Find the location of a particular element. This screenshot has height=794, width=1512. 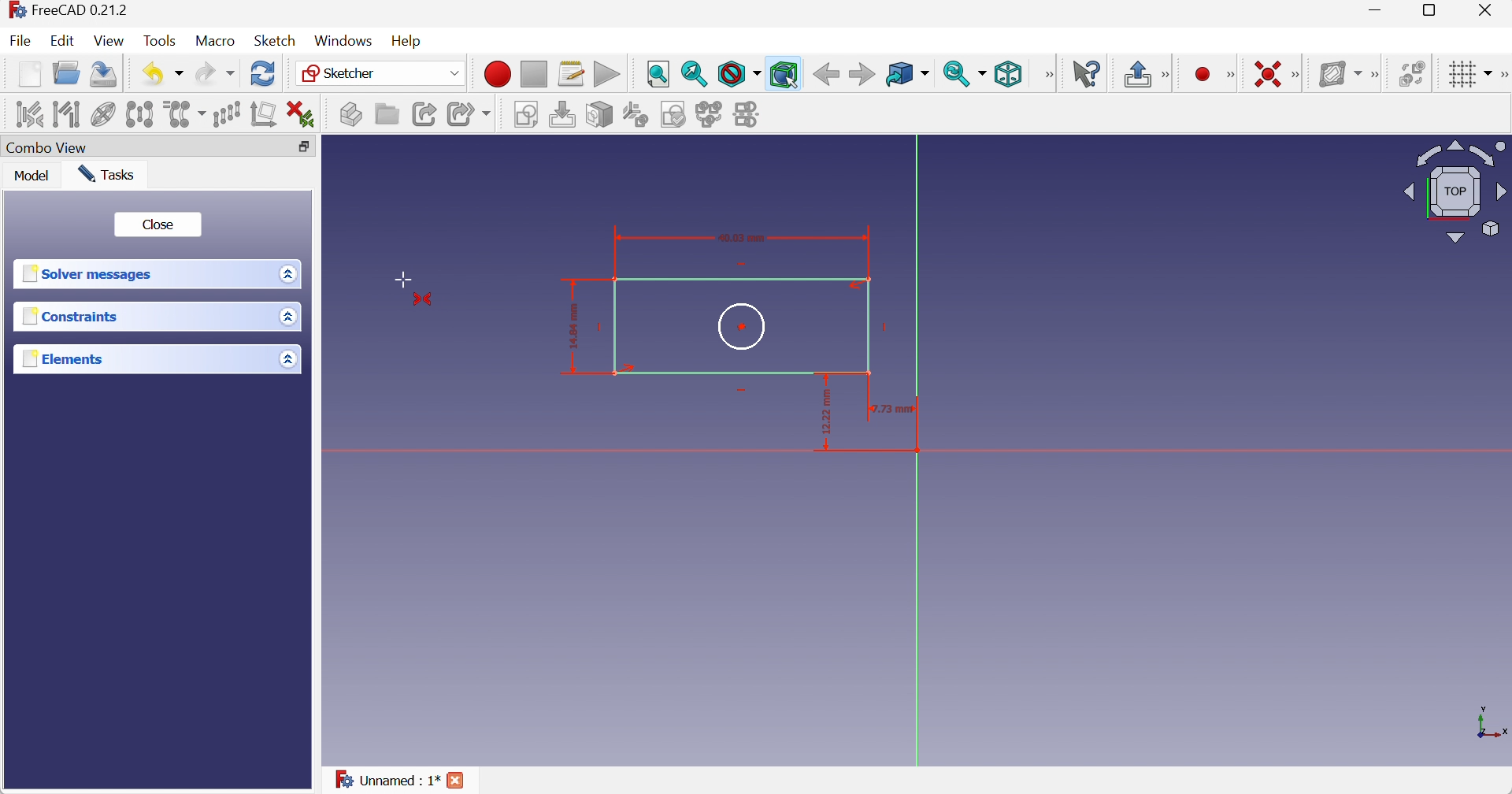

constrain symmetrical is located at coordinates (424, 300).